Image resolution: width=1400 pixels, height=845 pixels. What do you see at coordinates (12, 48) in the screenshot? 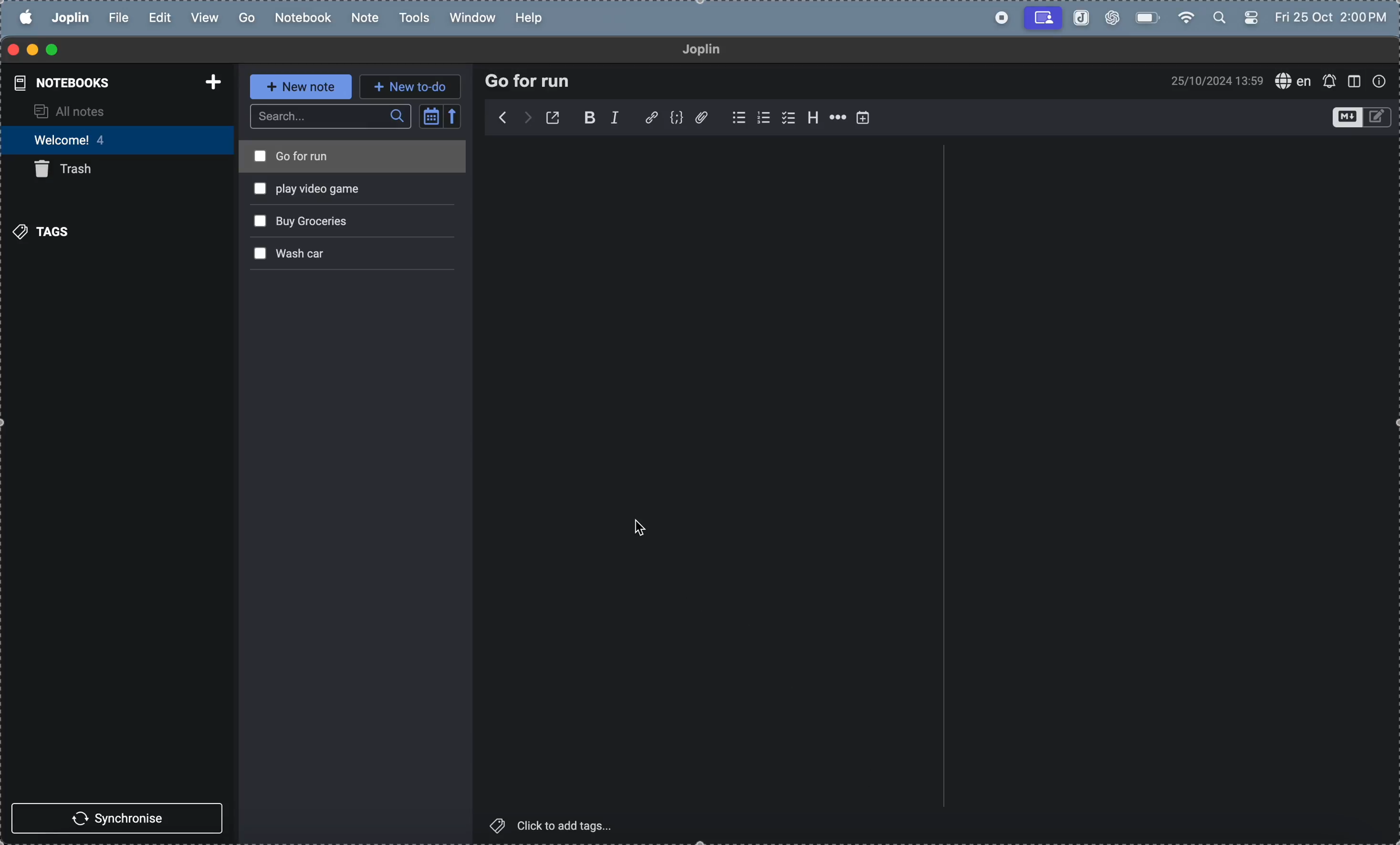
I see `closing window` at bounding box center [12, 48].